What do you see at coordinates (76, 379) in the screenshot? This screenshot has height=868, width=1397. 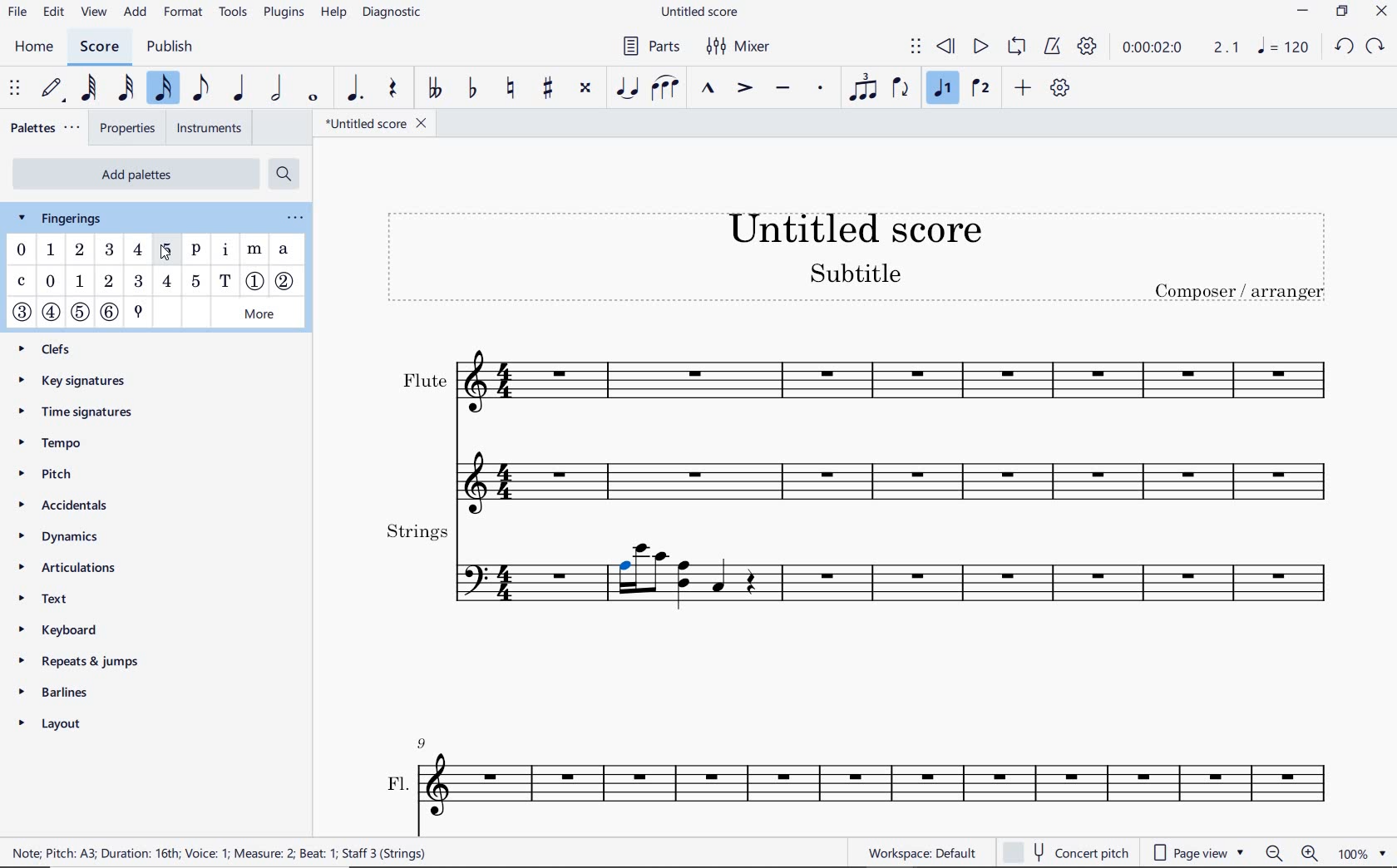 I see `key signatures` at bounding box center [76, 379].